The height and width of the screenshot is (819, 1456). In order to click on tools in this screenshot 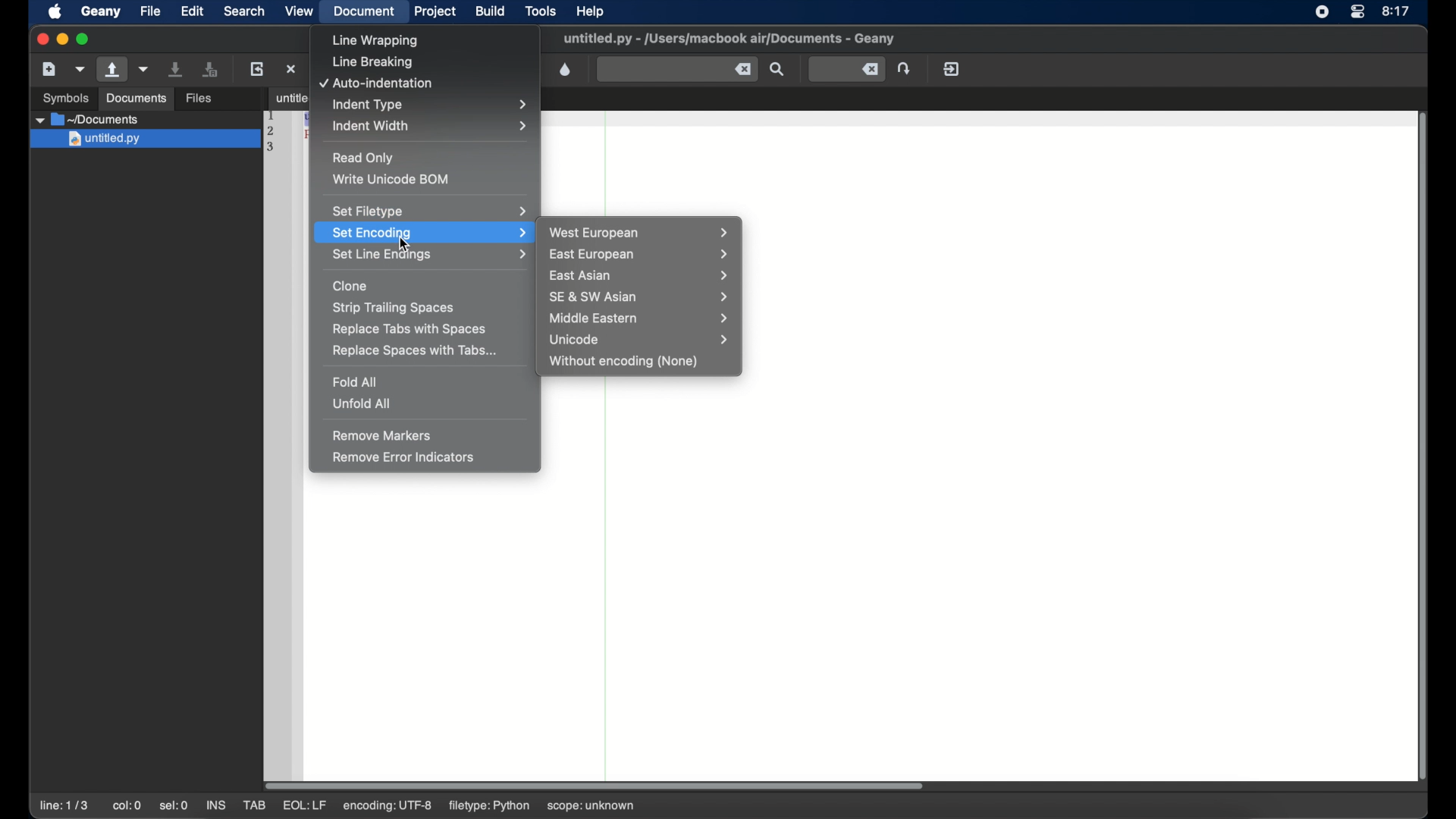, I will do `click(541, 10)`.